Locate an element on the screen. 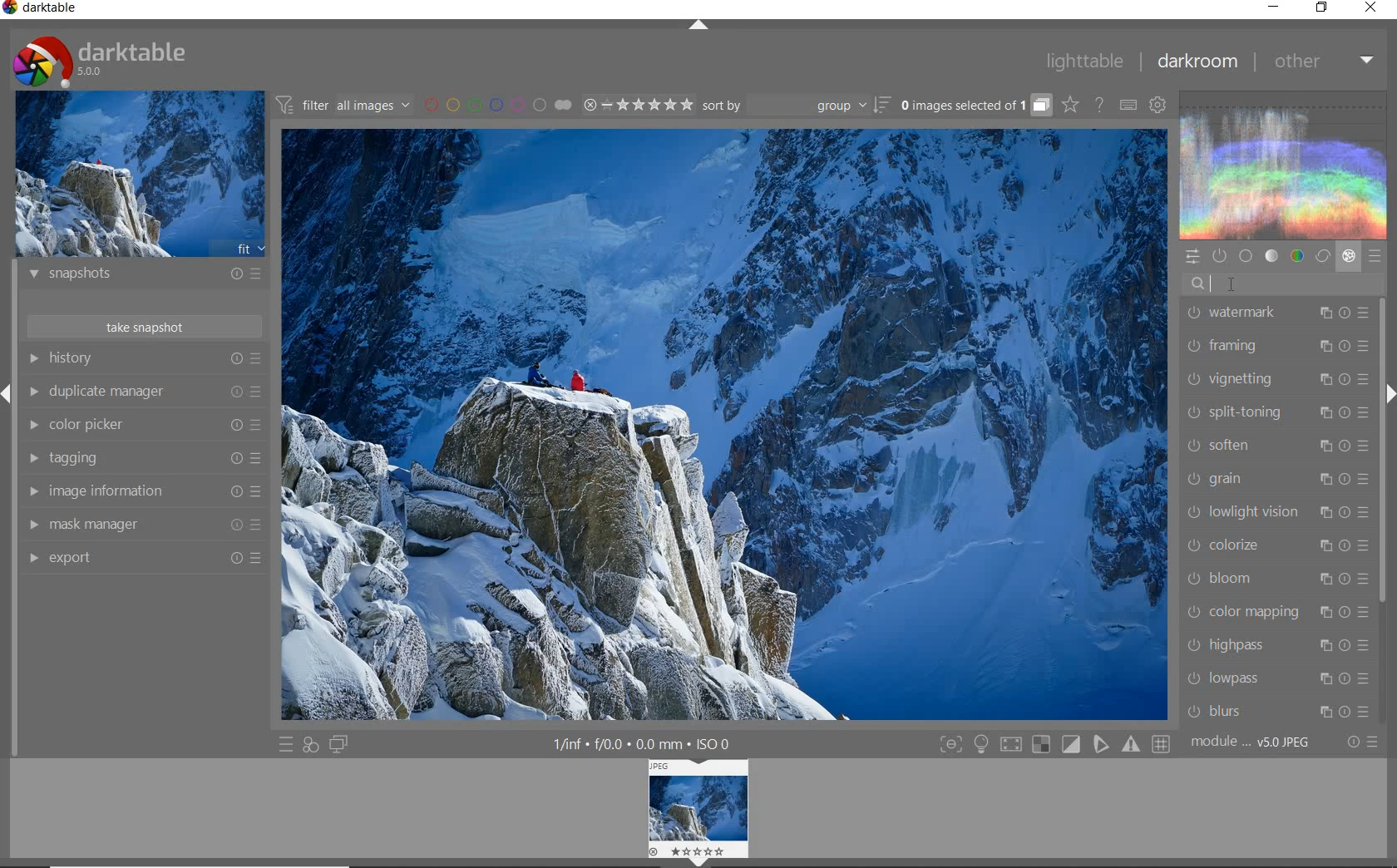 The image size is (1397, 868). split-toning is located at coordinates (1276, 413).